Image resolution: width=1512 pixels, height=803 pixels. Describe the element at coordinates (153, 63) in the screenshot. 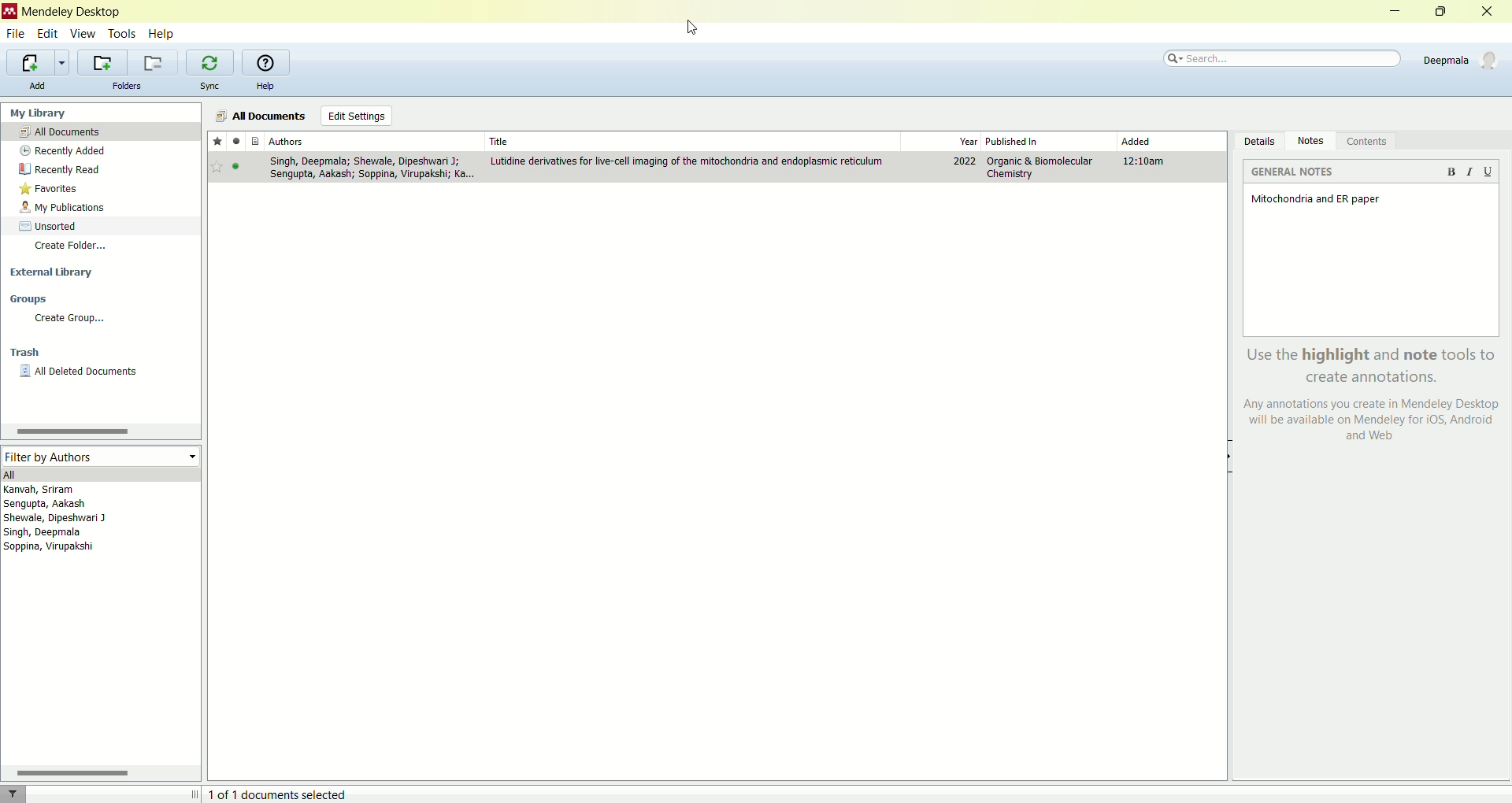

I see `remove the current folder` at that location.